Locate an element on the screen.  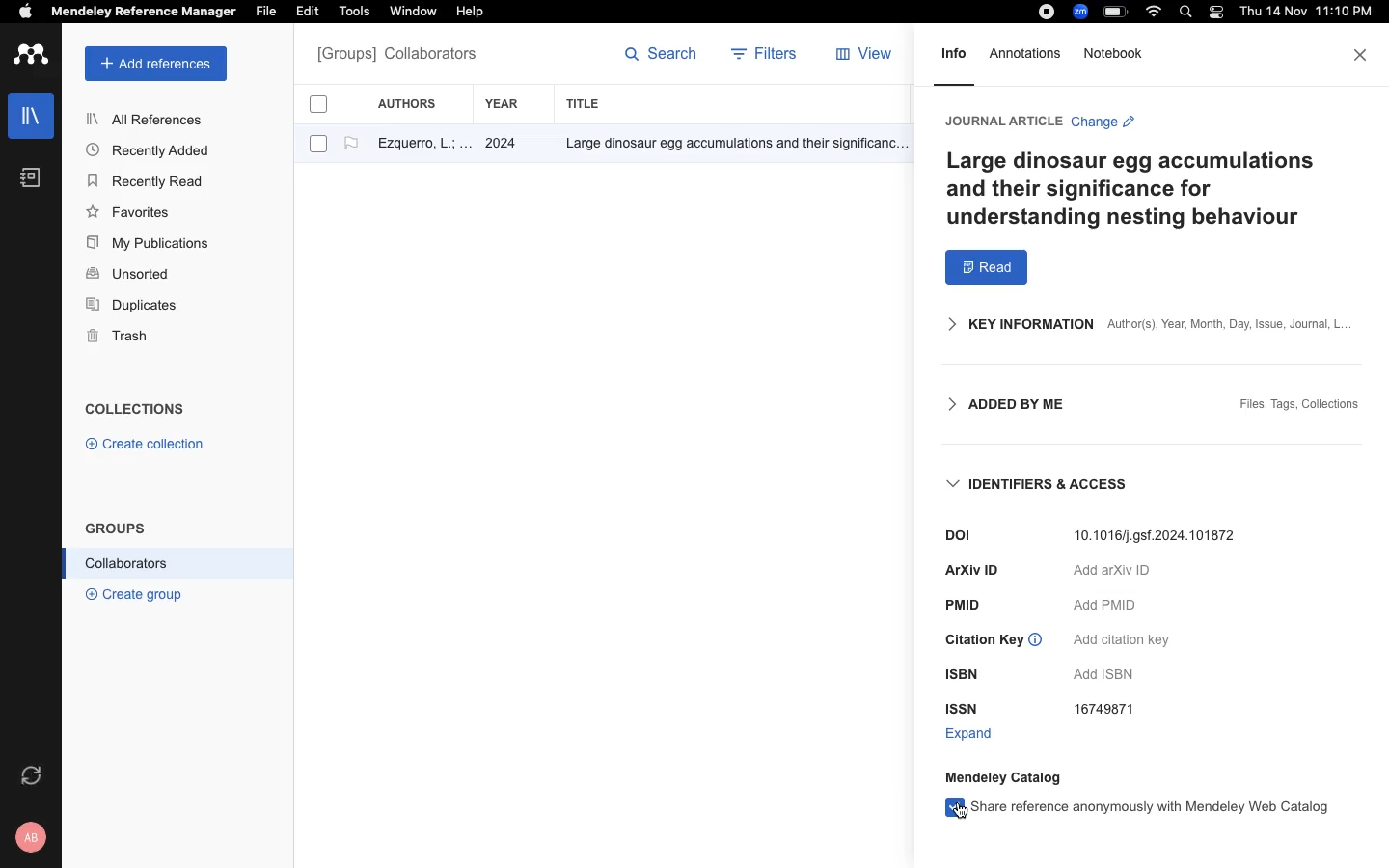
Mendeley Reference Manager is located at coordinates (144, 13).